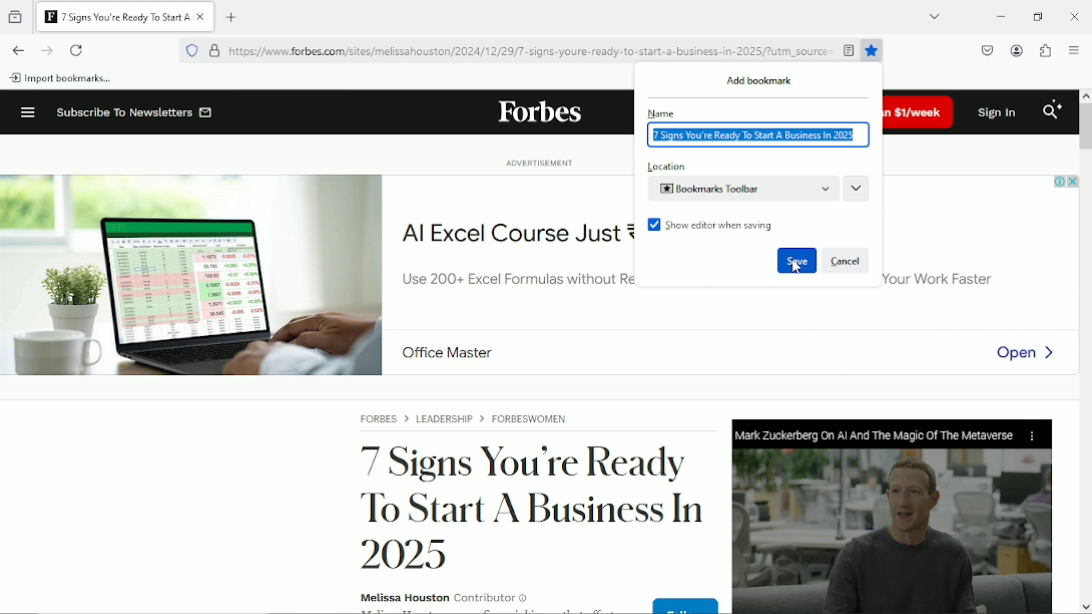 This screenshot has height=614, width=1092. What do you see at coordinates (232, 16) in the screenshot?
I see `new tab` at bounding box center [232, 16].